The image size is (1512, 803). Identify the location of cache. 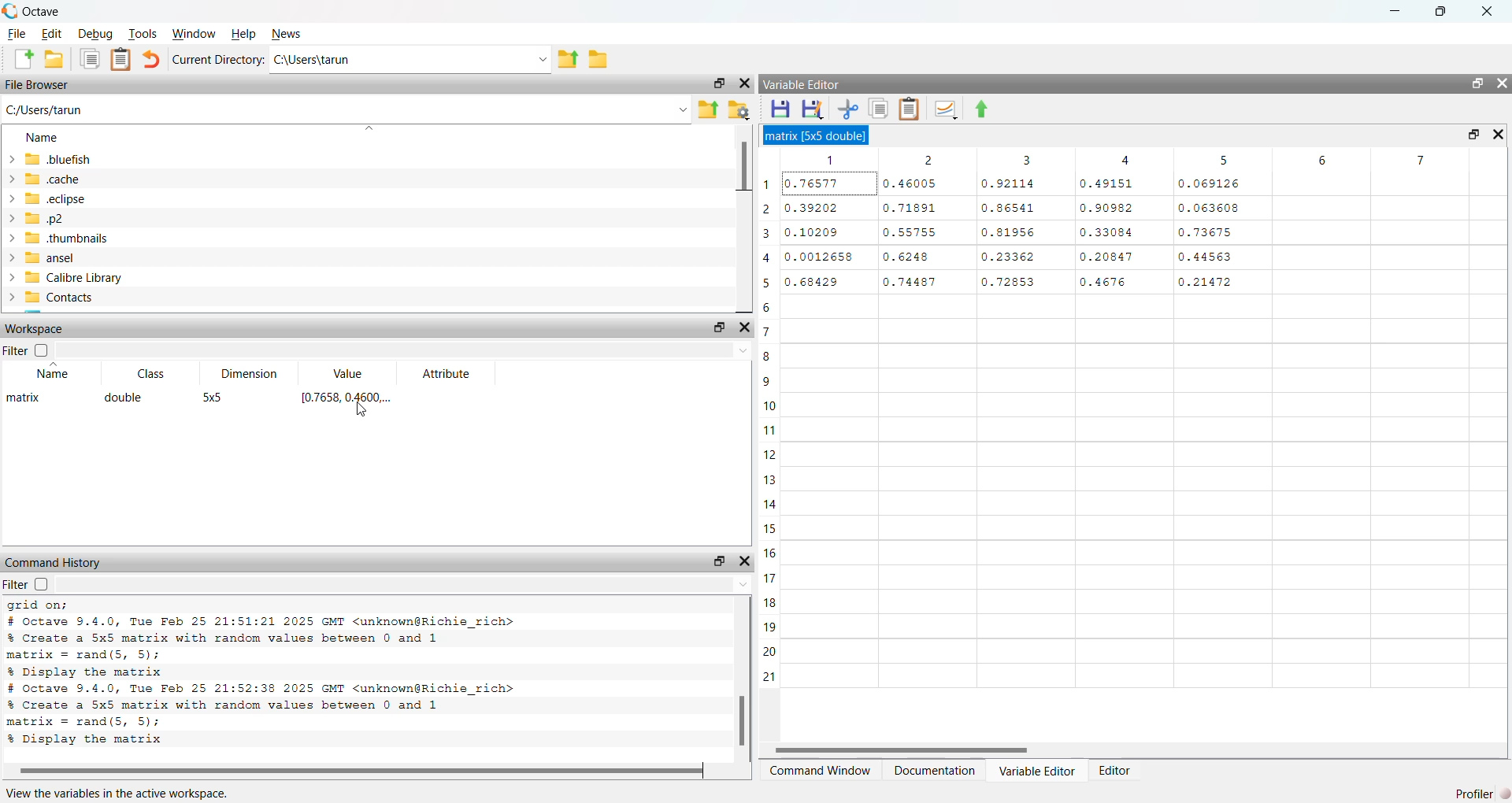
(45, 179).